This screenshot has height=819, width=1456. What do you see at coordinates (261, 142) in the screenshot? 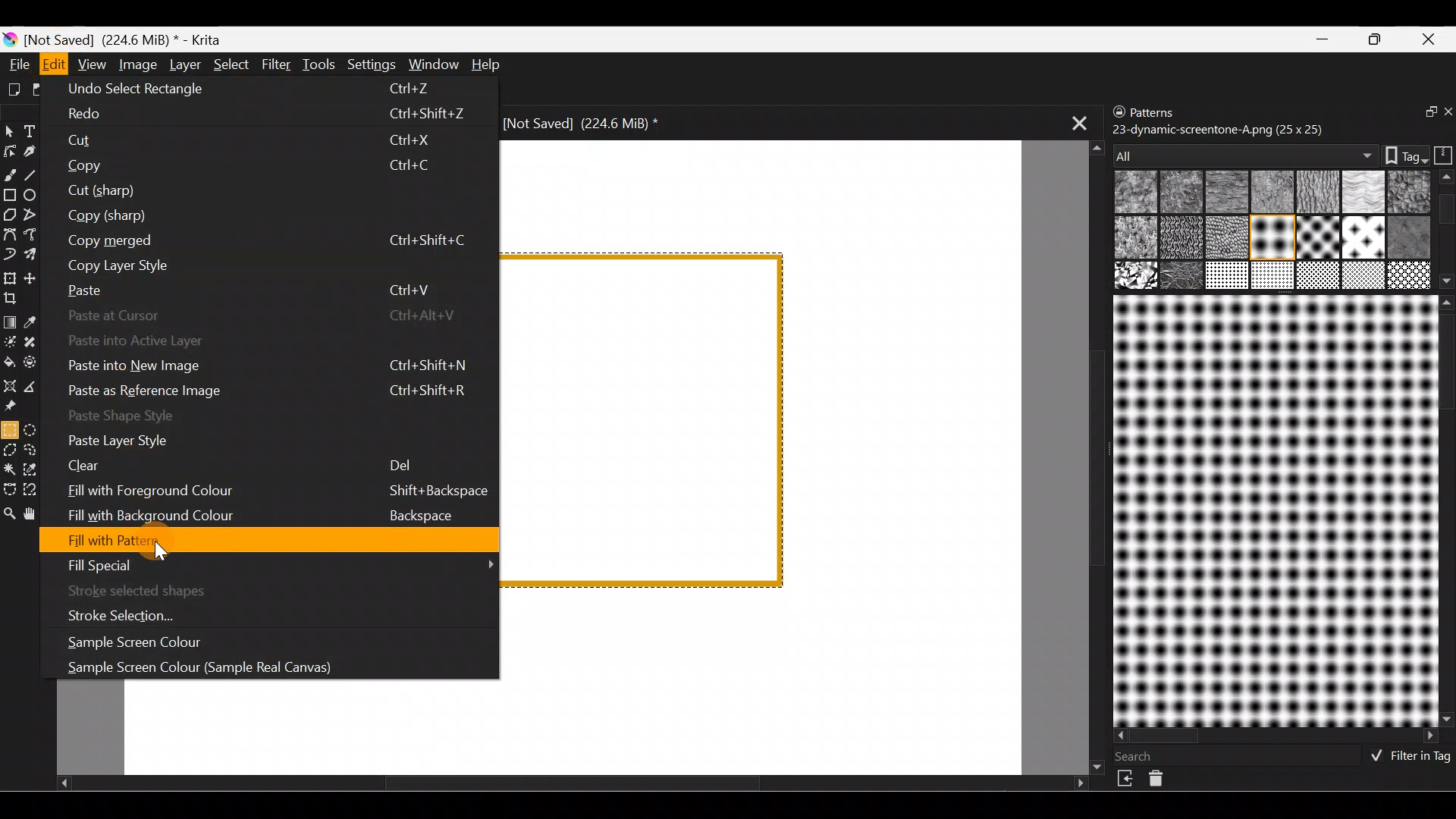
I see `Cut` at bounding box center [261, 142].